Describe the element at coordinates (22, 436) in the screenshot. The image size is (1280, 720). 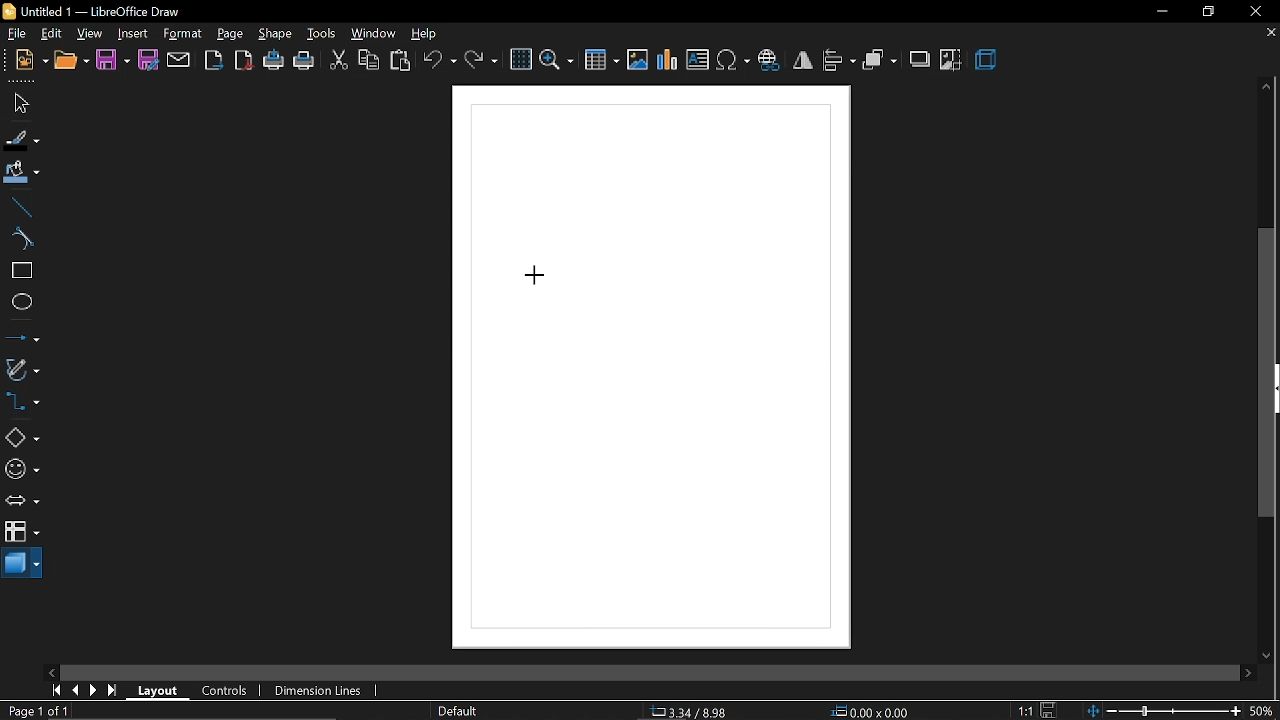
I see `basic shapes` at that location.